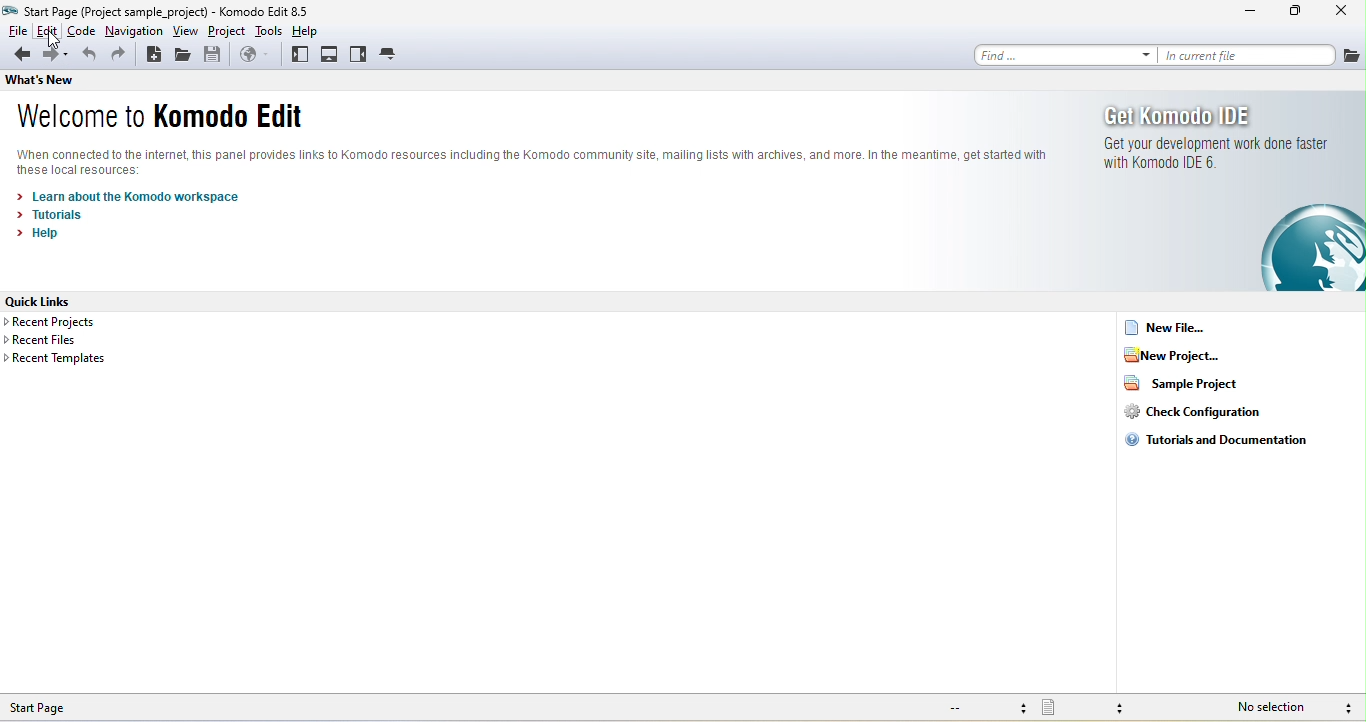  I want to click on welcome to komodo edit, so click(175, 118).